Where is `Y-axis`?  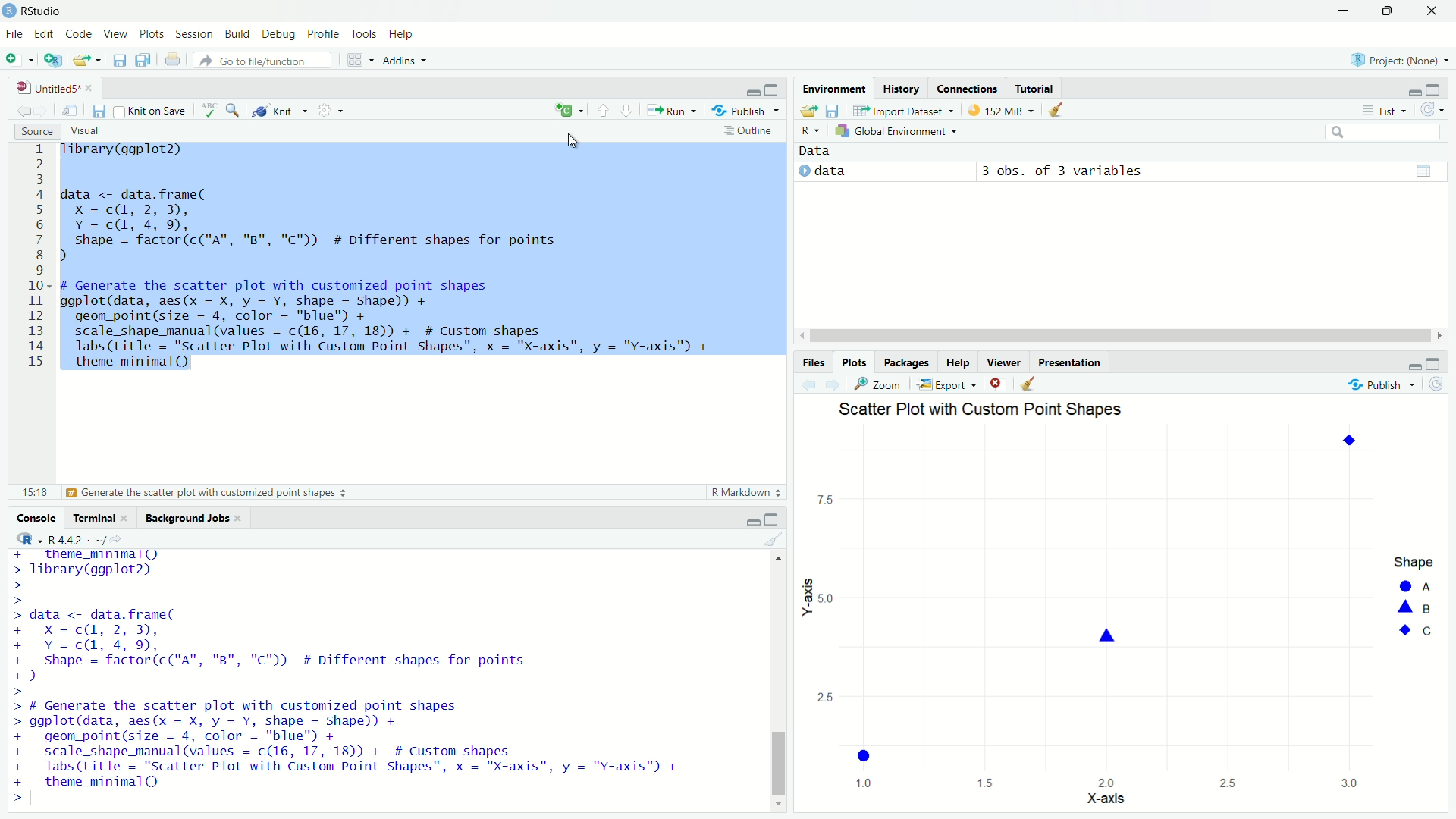 Y-axis is located at coordinates (807, 598).